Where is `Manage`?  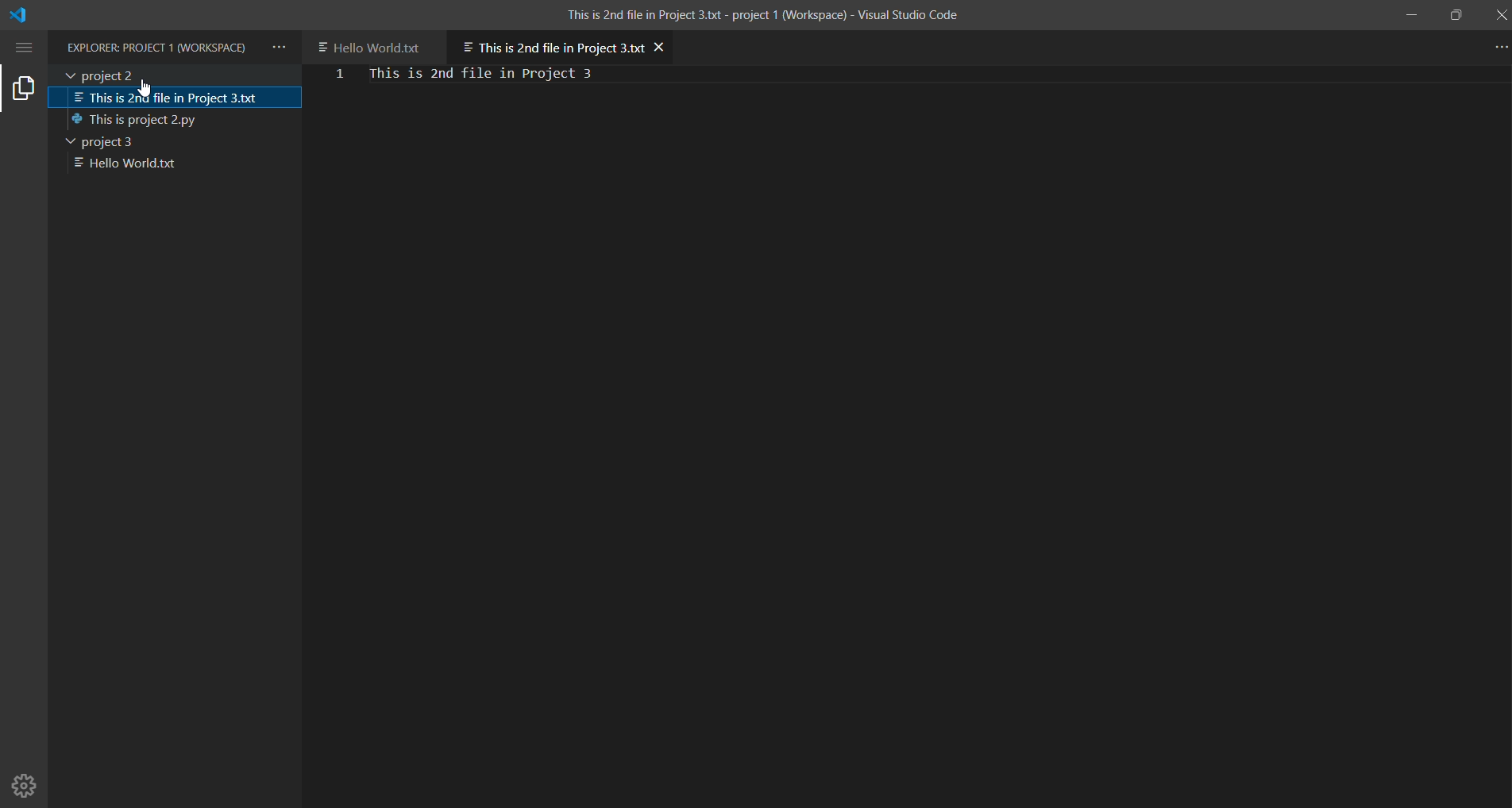 Manage is located at coordinates (26, 779).